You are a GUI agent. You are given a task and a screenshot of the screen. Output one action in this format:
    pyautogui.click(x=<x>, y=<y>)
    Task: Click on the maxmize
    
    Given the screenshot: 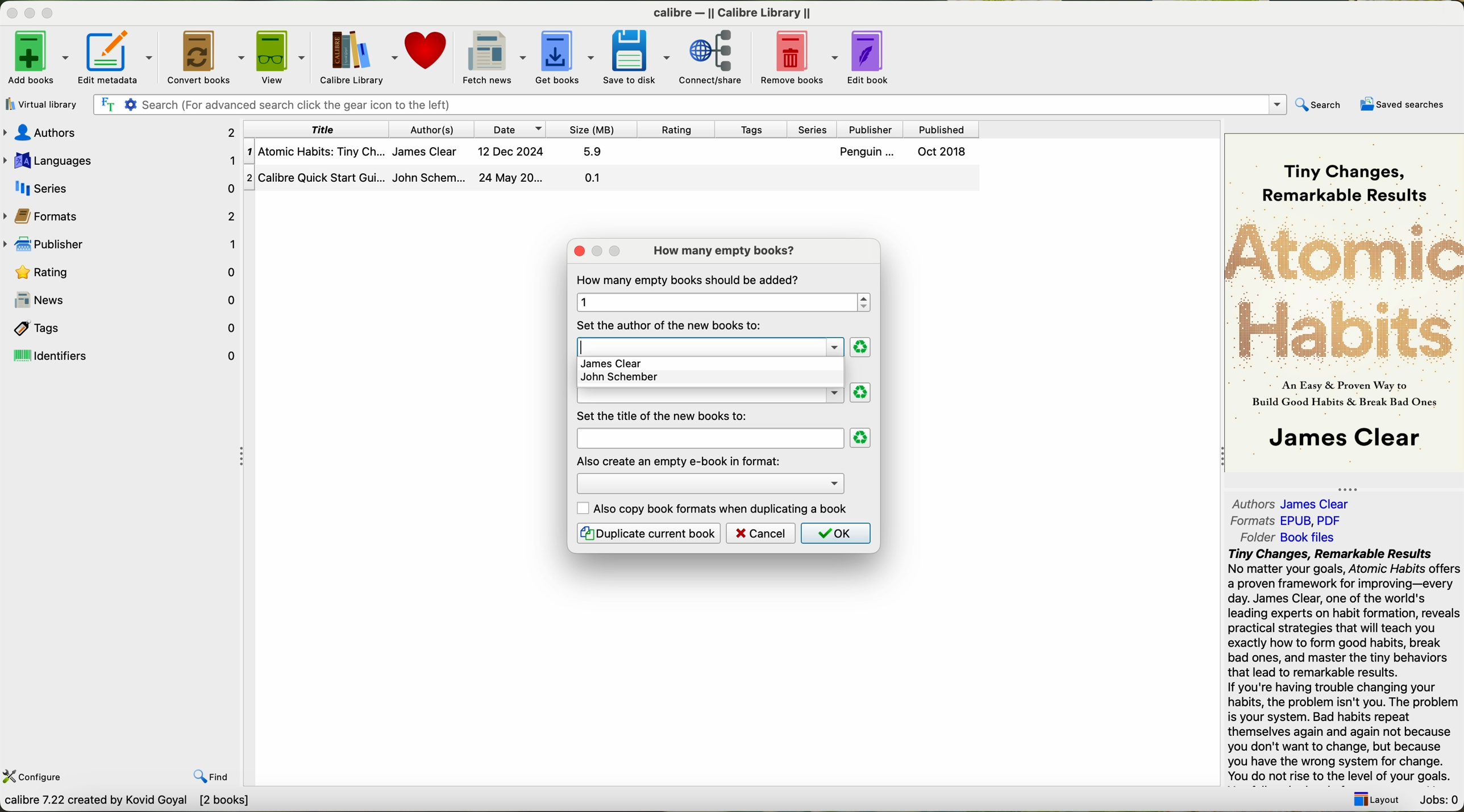 What is the action you would take?
    pyautogui.click(x=594, y=255)
    